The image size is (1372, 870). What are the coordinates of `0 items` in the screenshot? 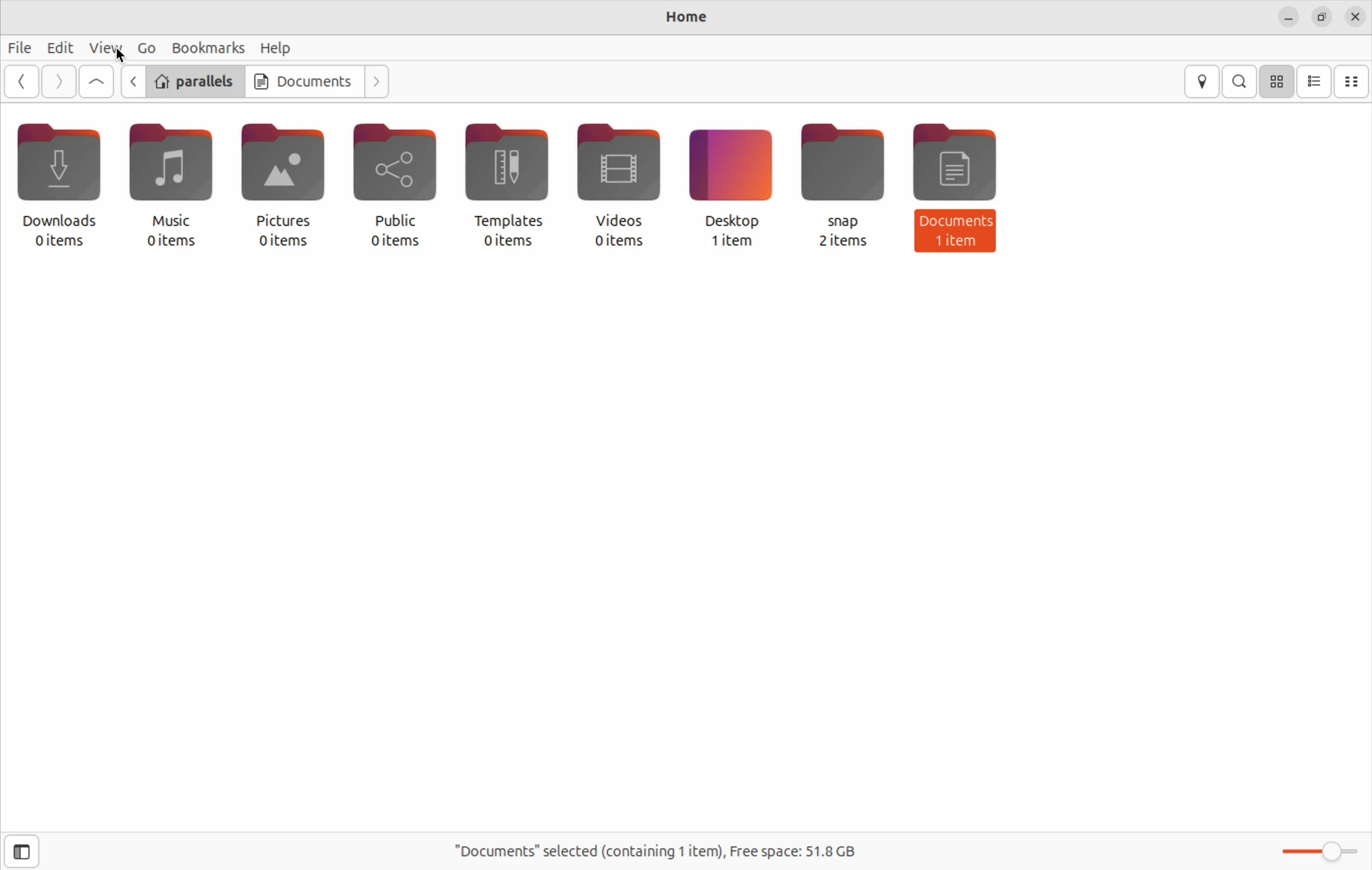 It's located at (507, 243).